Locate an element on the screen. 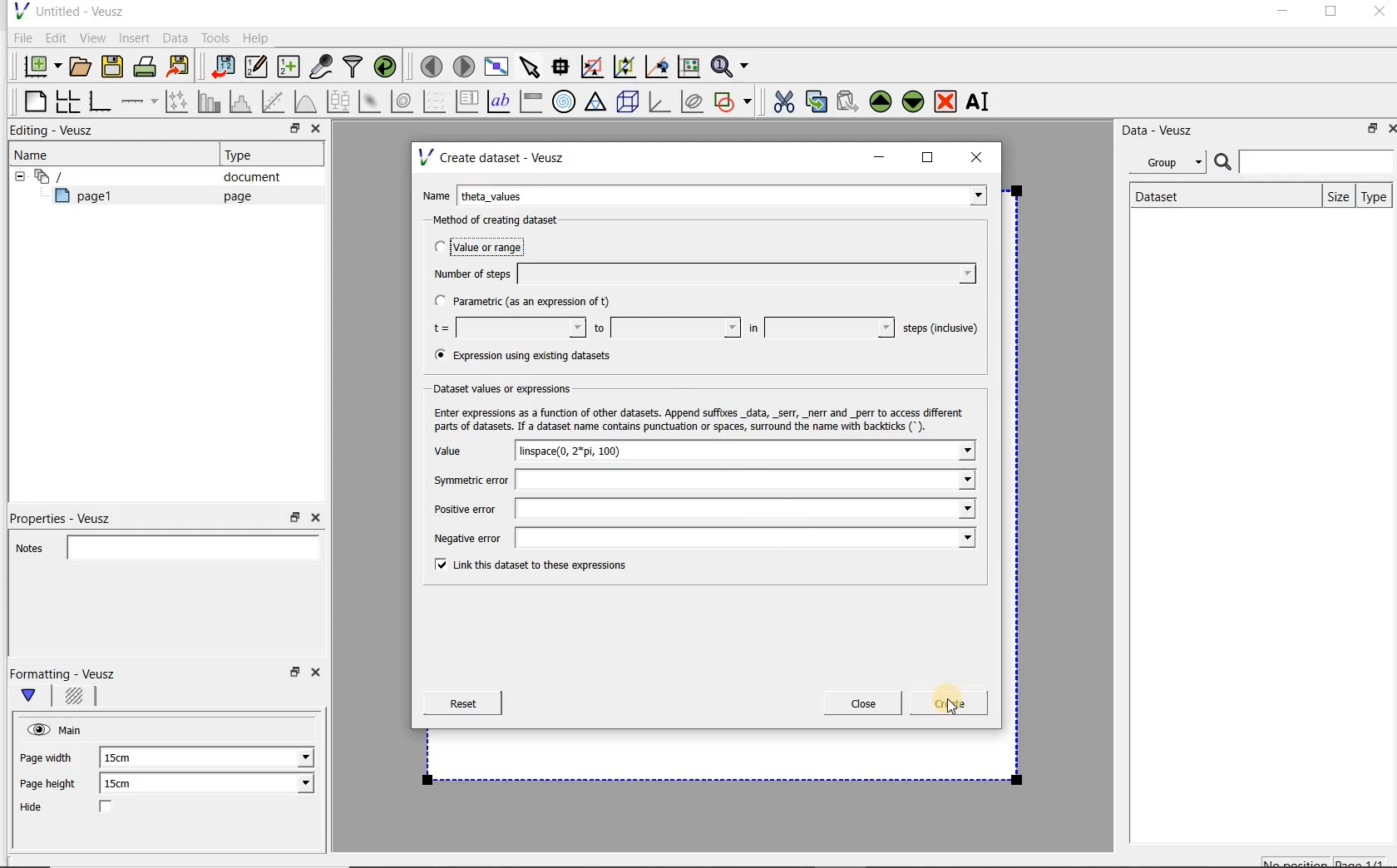 The image size is (1397, 868). filter data is located at coordinates (353, 68).